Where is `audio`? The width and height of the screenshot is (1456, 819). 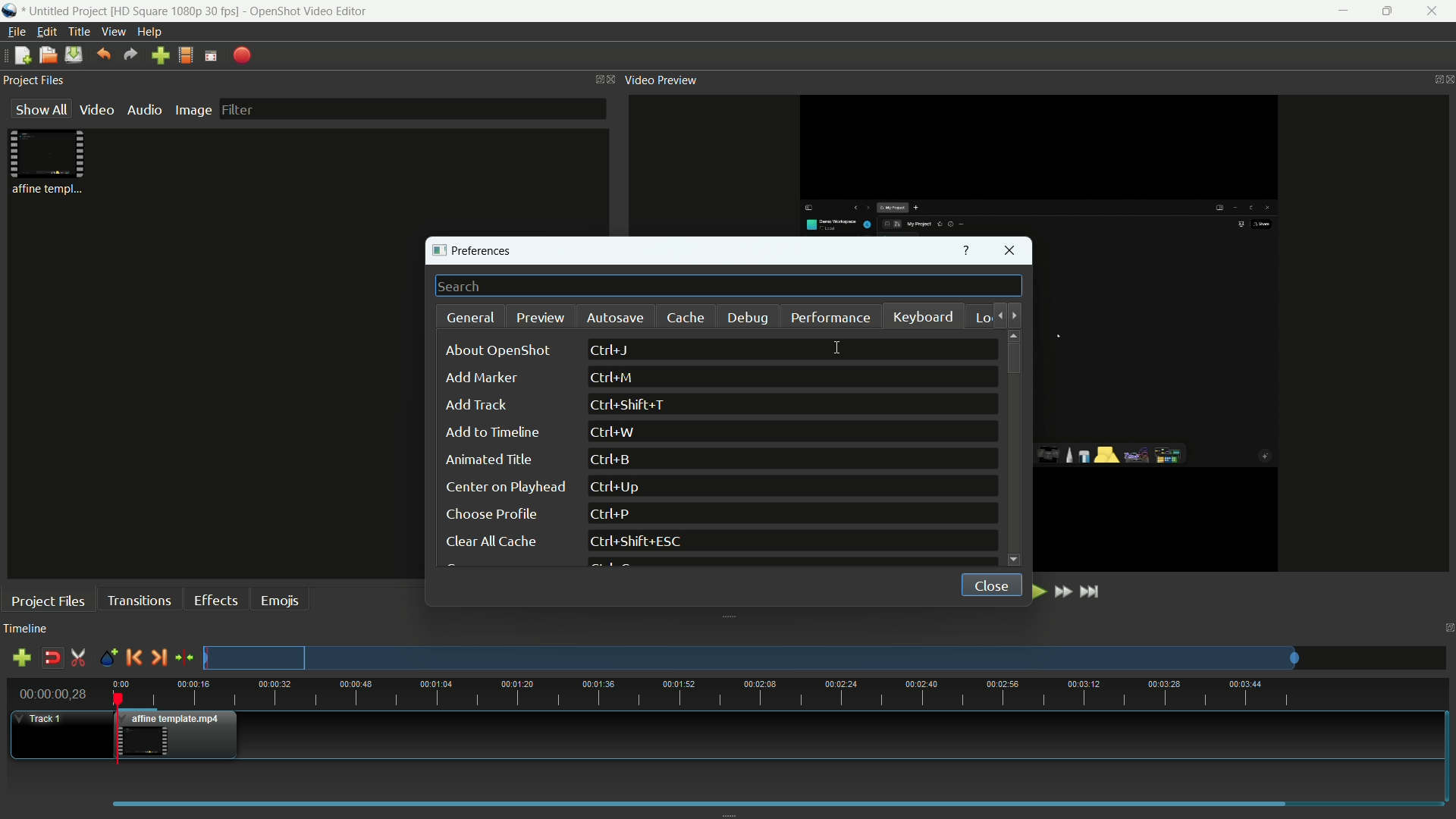 audio is located at coordinates (146, 110).